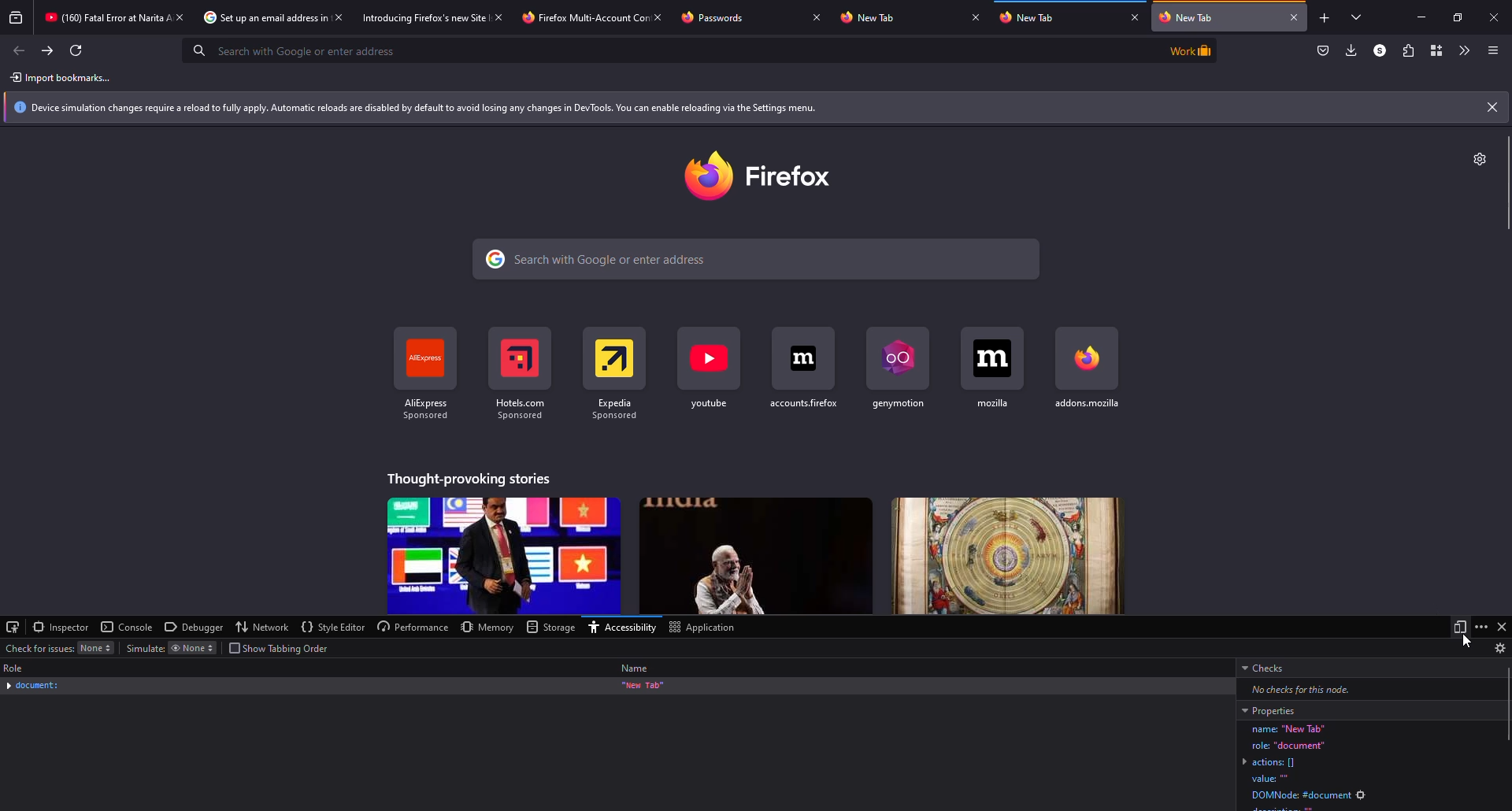  I want to click on close, so click(1501, 626).